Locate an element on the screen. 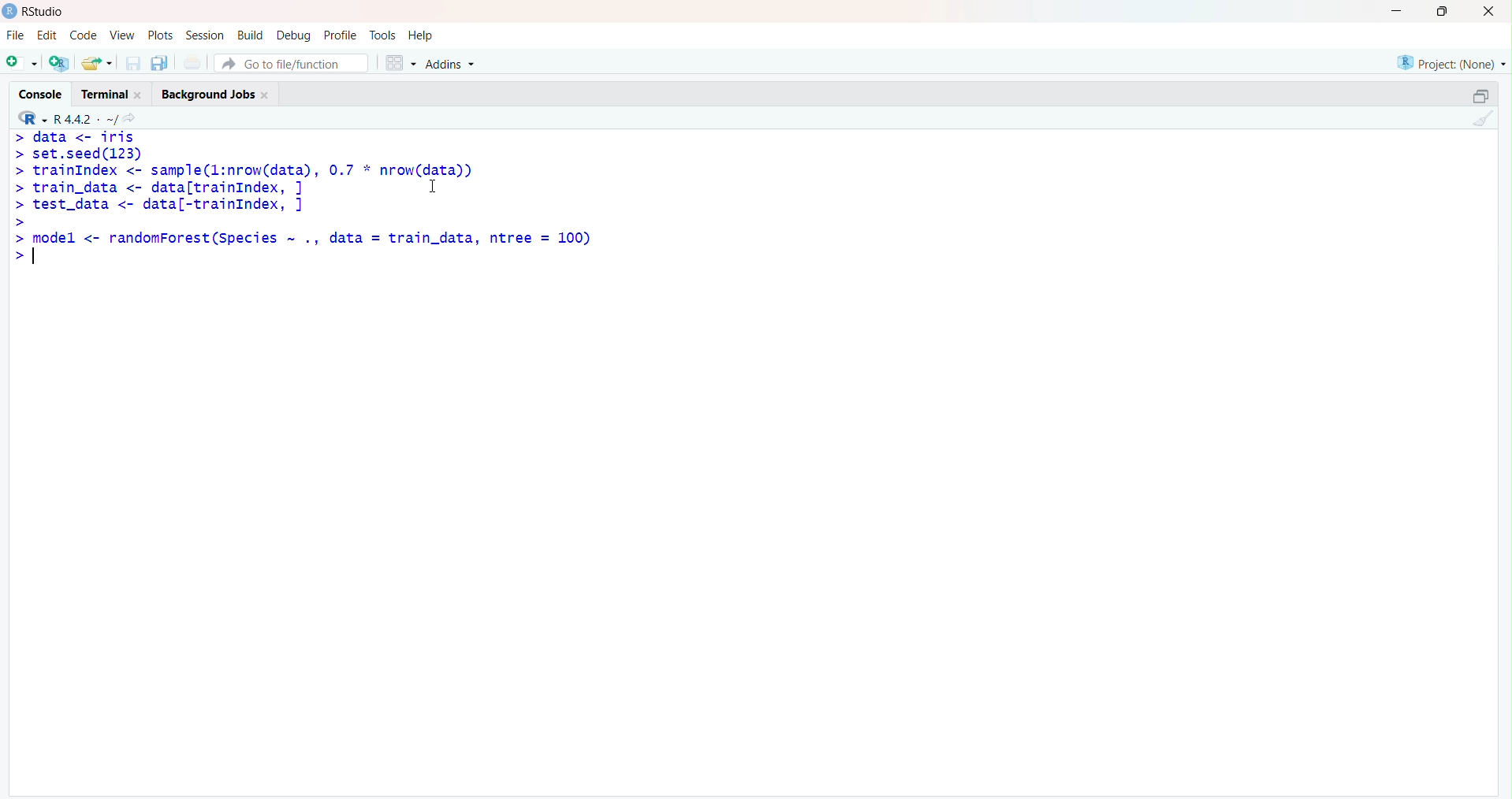 This screenshot has width=1512, height=799. Clear console (Ctrl + L) is located at coordinates (1481, 120).